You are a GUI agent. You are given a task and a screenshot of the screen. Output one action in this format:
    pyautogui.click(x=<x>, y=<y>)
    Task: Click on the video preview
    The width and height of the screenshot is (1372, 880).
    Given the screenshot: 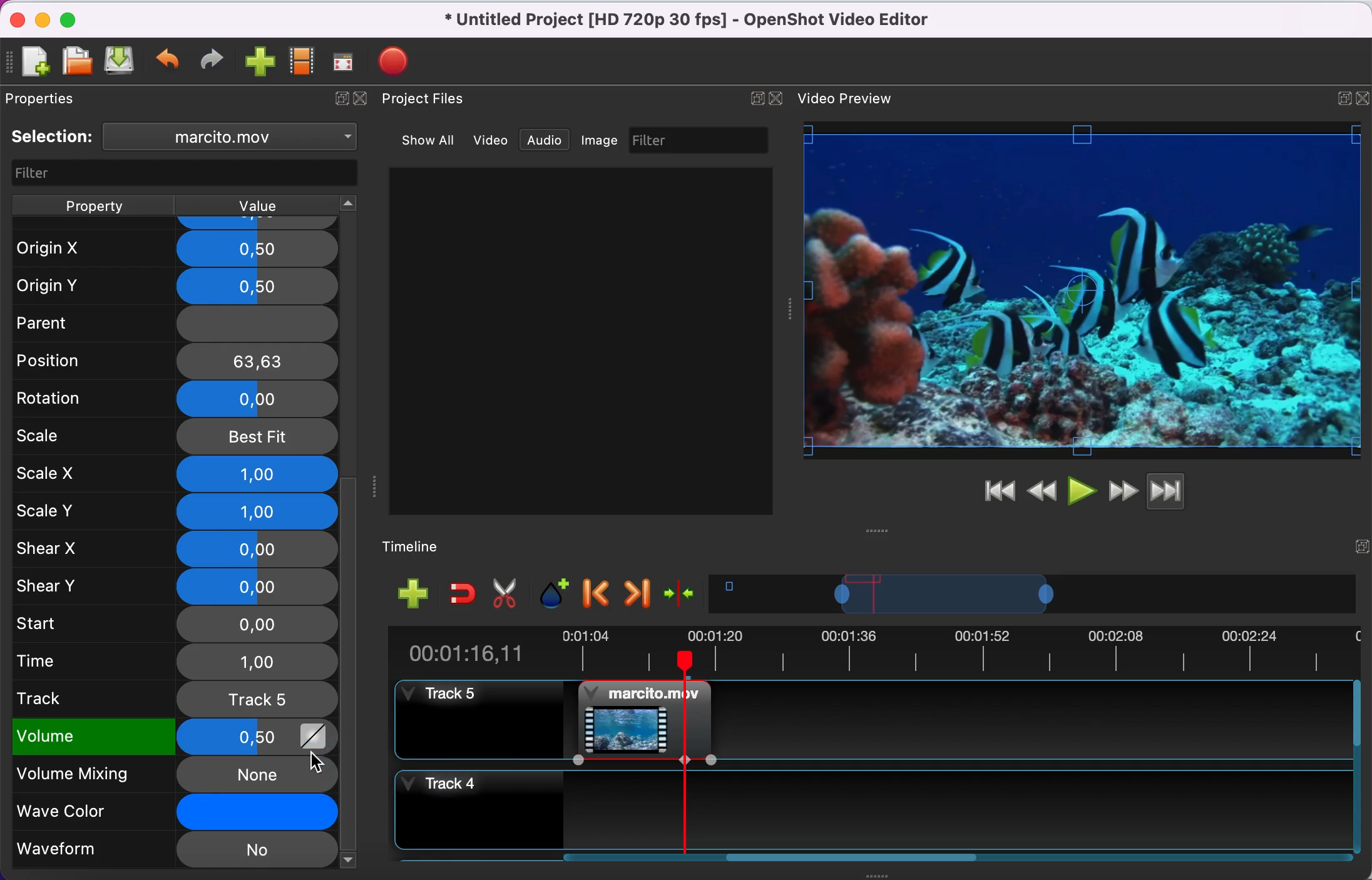 What is the action you would take?
    pyautogui.click(x=1083, y=291)
    